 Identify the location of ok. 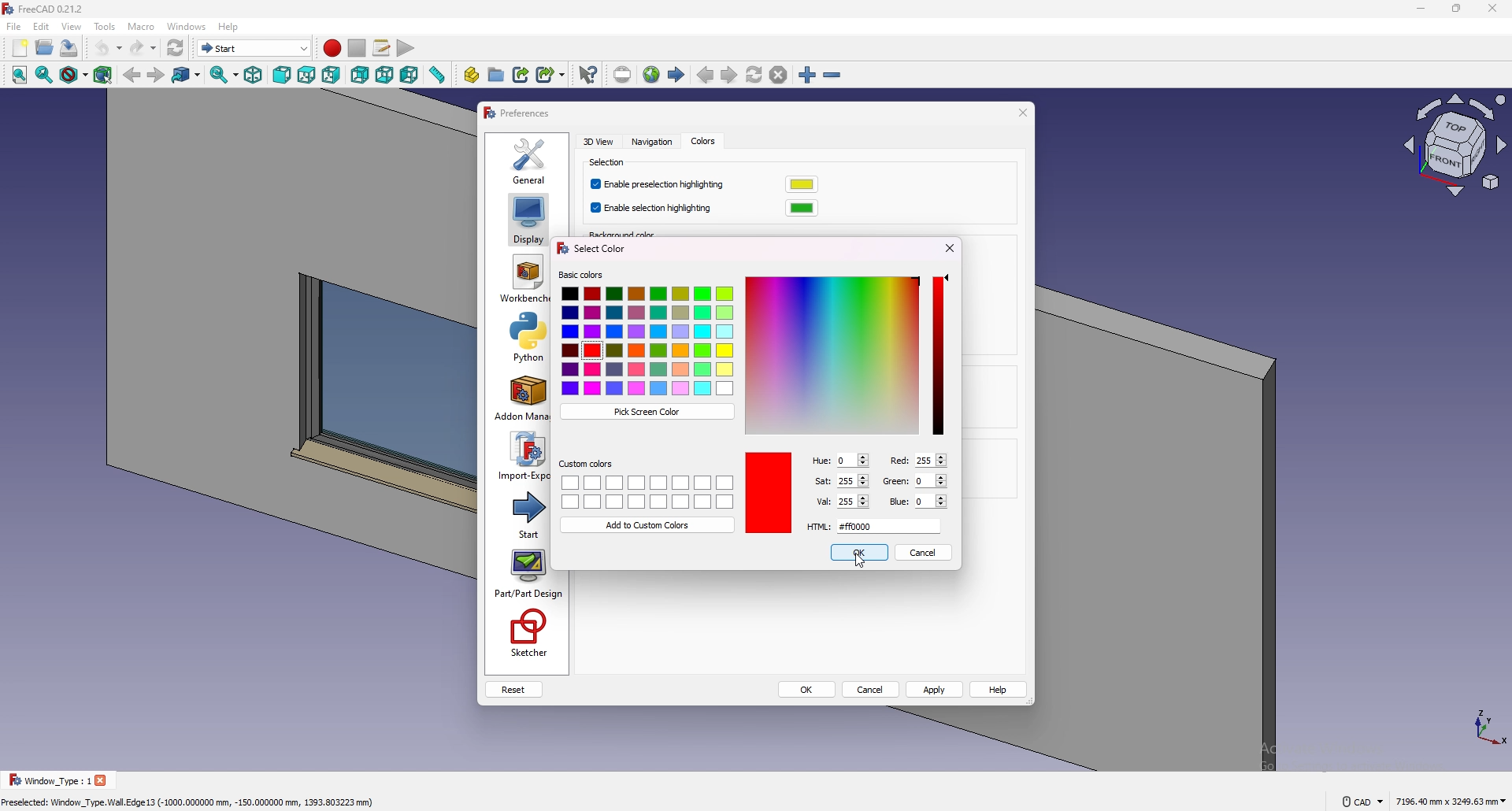
(807, 691).